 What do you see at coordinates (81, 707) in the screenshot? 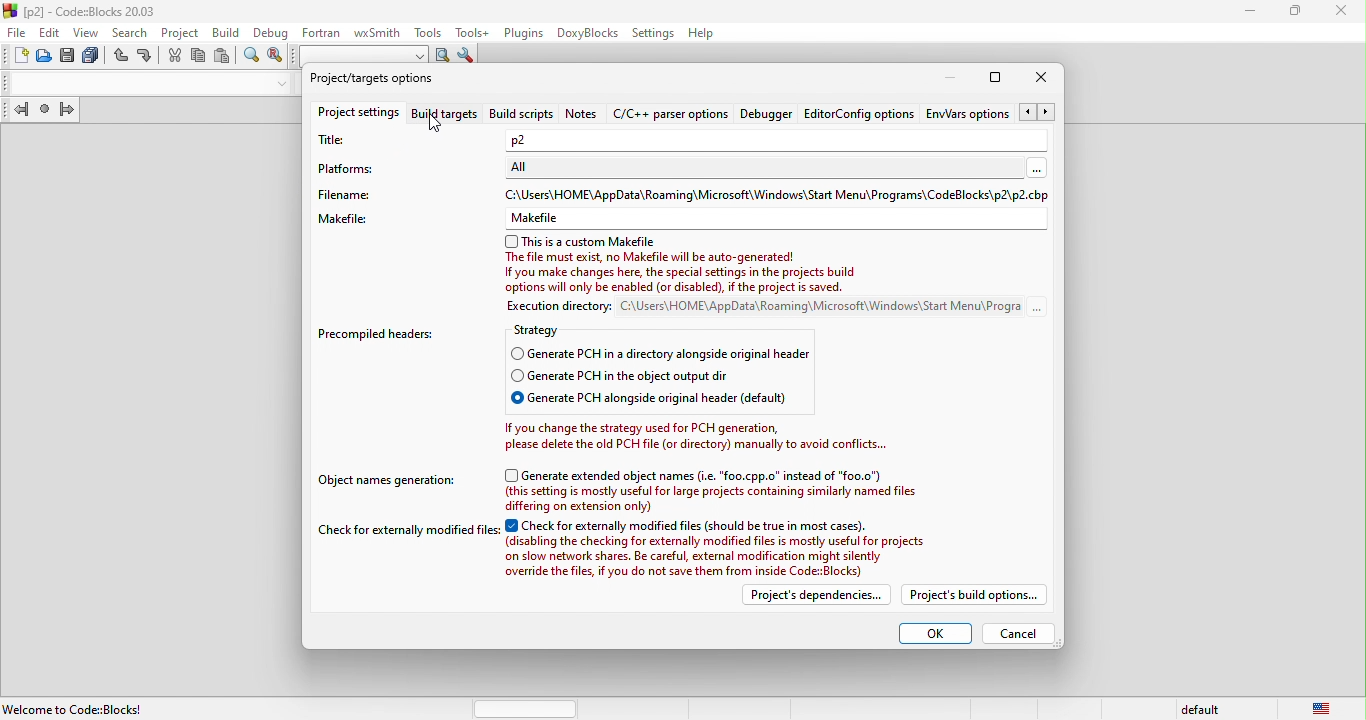
I see `welcome to code blocks` at bounding box center [81, 707].